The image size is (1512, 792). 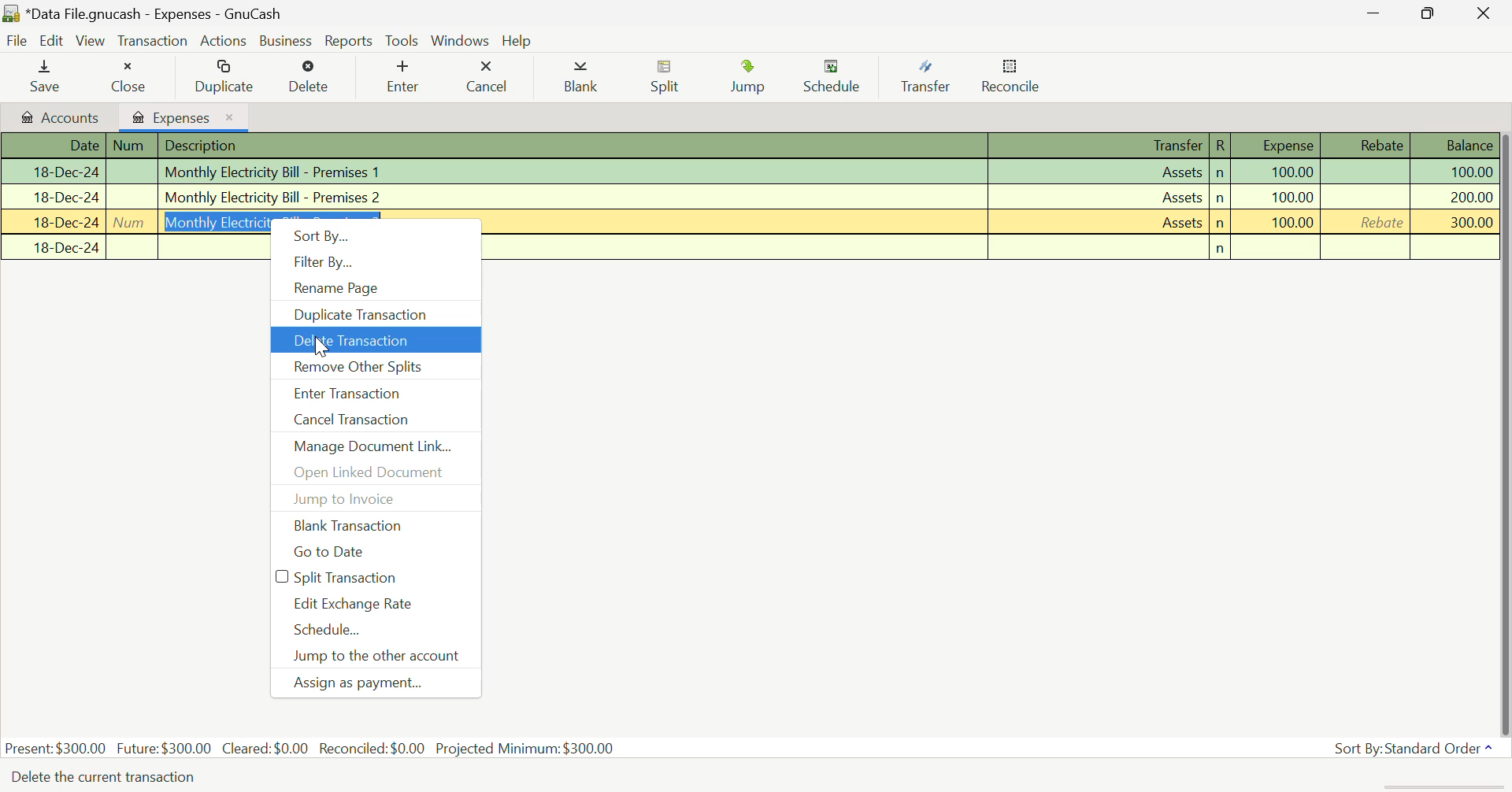 What do you see at coordinates (376, 288) in the screenshot?
I see `Rename Page` at bounding box center [376, 288].